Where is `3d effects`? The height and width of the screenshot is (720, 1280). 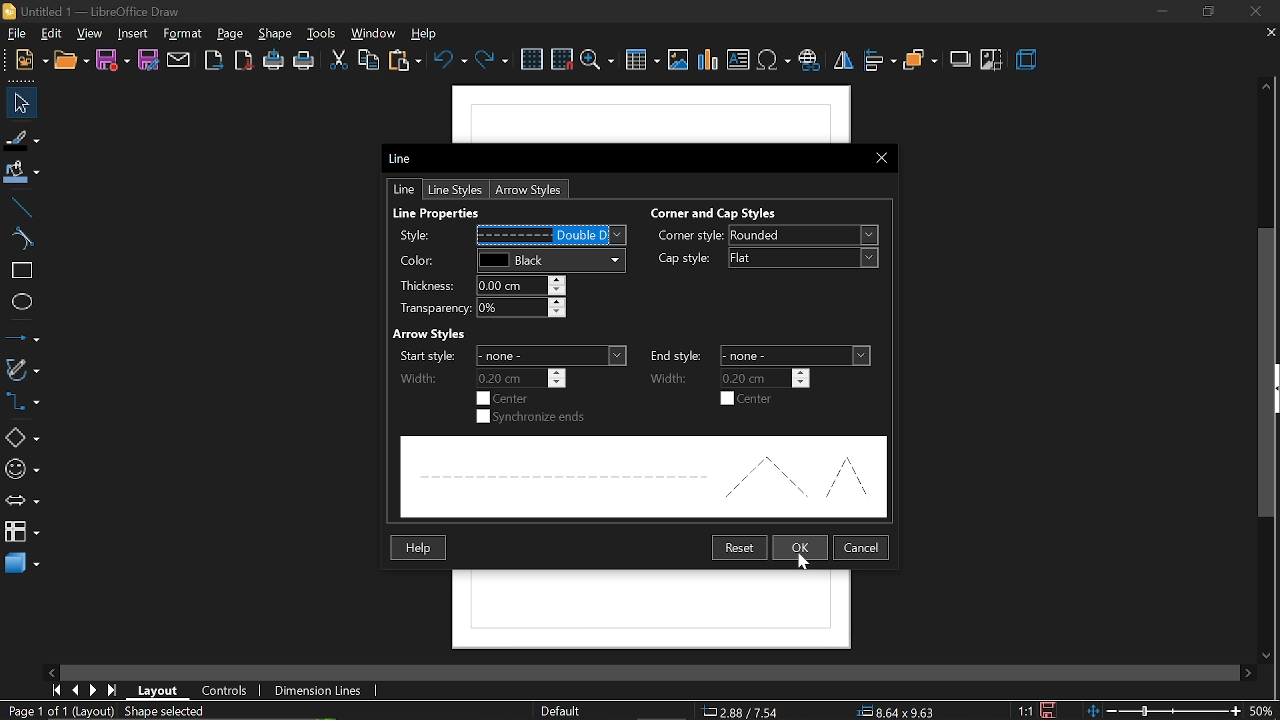
3d effects is located at coordinates (1026, 58).